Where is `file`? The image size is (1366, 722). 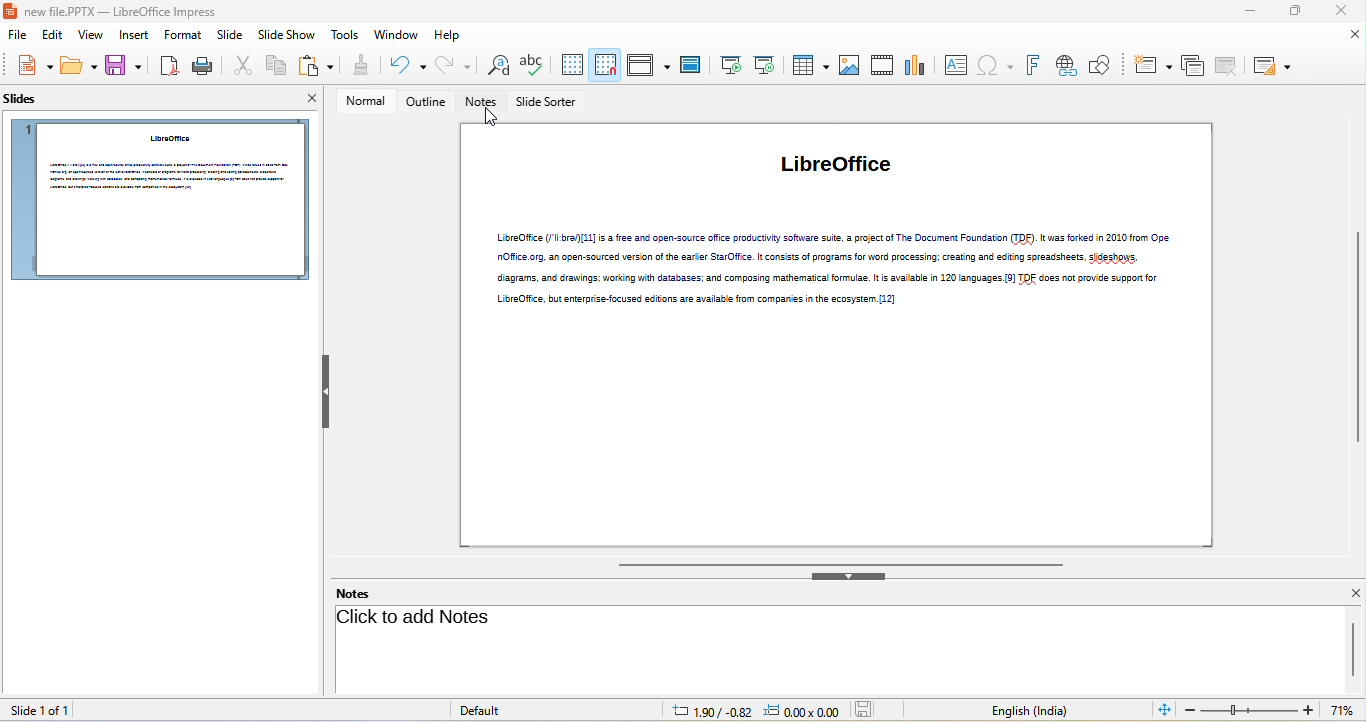
file is located at coordinates (14, 36).